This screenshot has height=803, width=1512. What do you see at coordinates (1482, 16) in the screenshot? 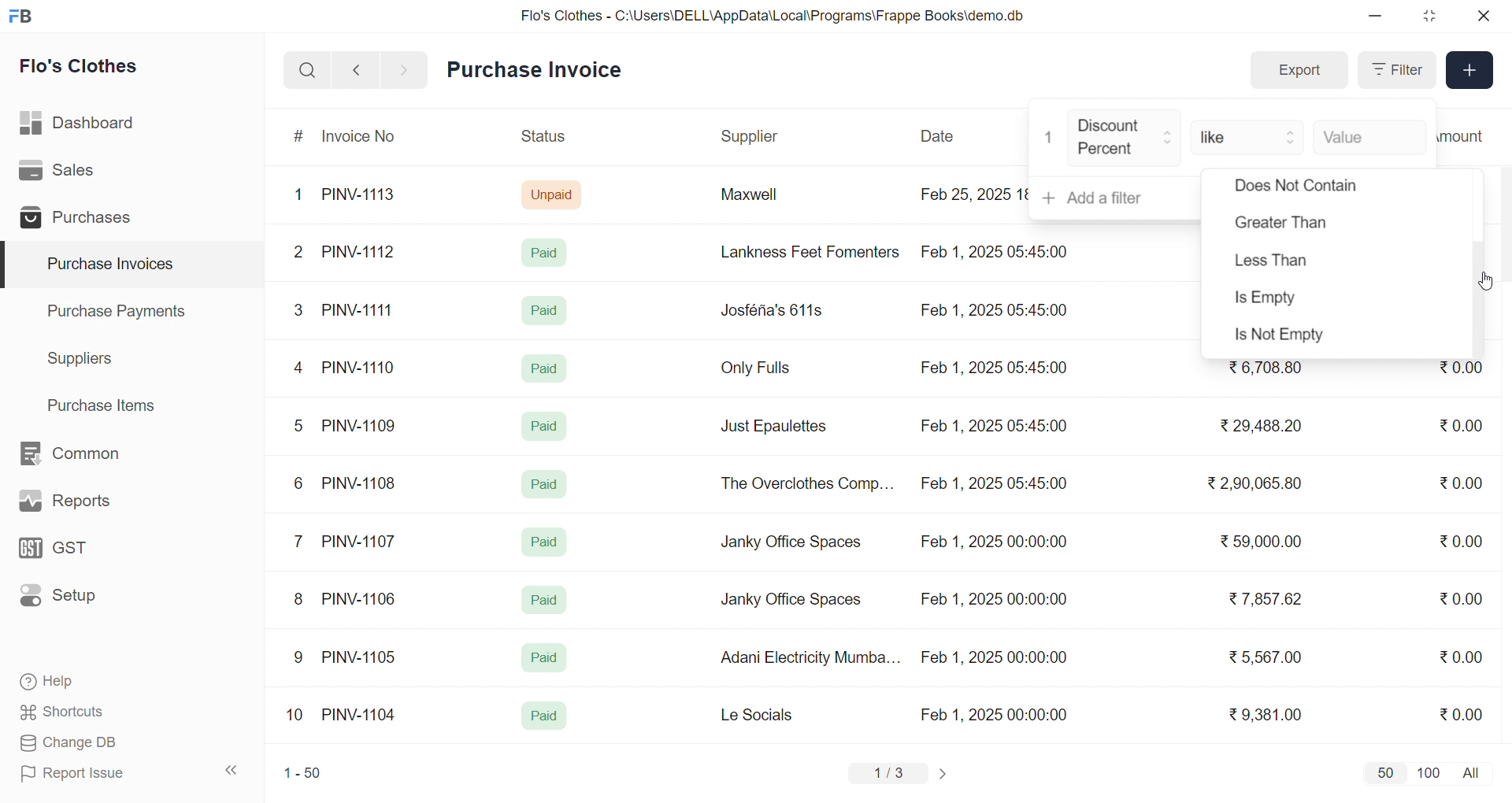
I see `close` at bounding box center [1482, 16].